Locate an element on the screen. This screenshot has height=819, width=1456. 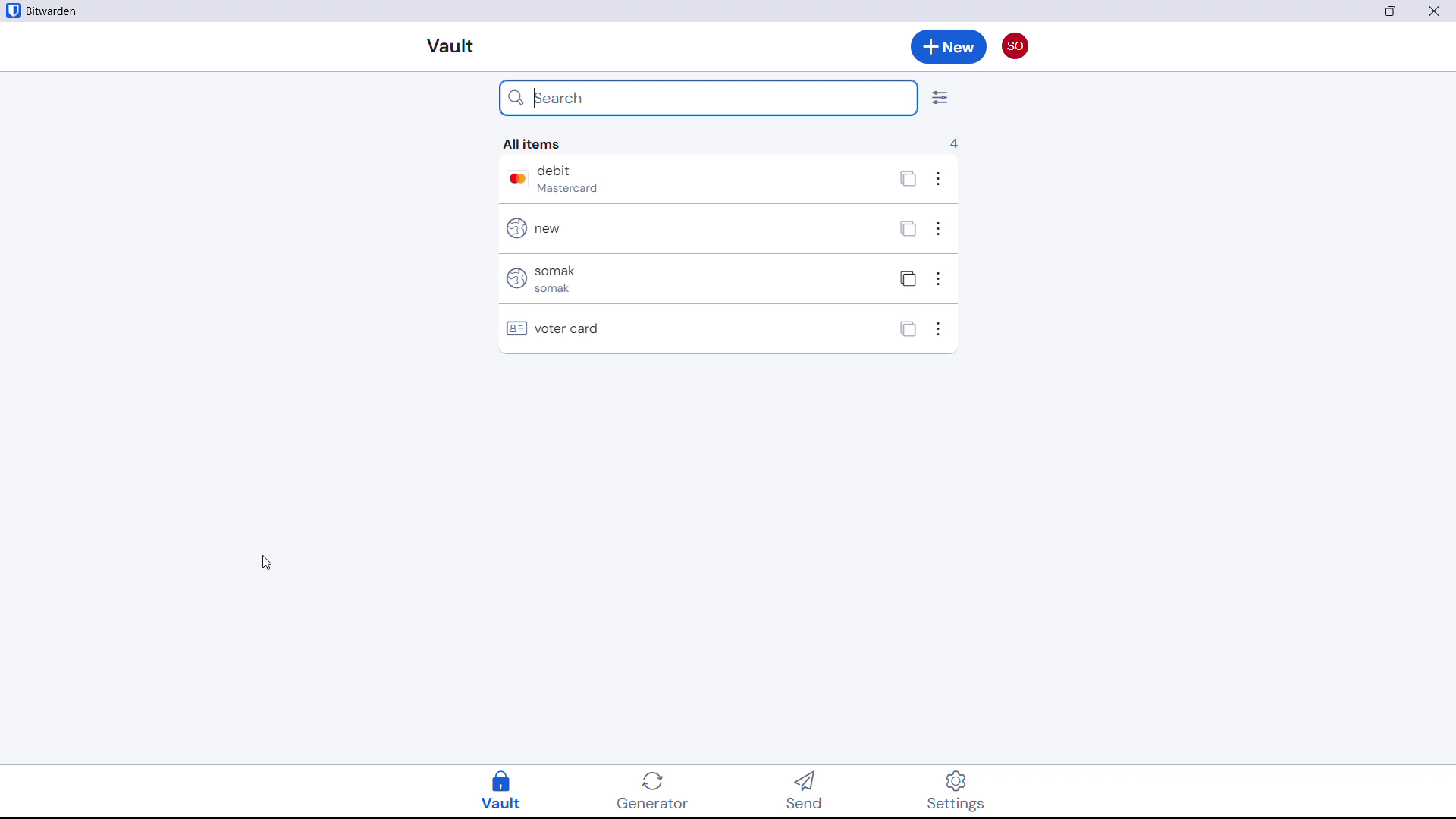
Settings  is located at coordinates (949, 789).